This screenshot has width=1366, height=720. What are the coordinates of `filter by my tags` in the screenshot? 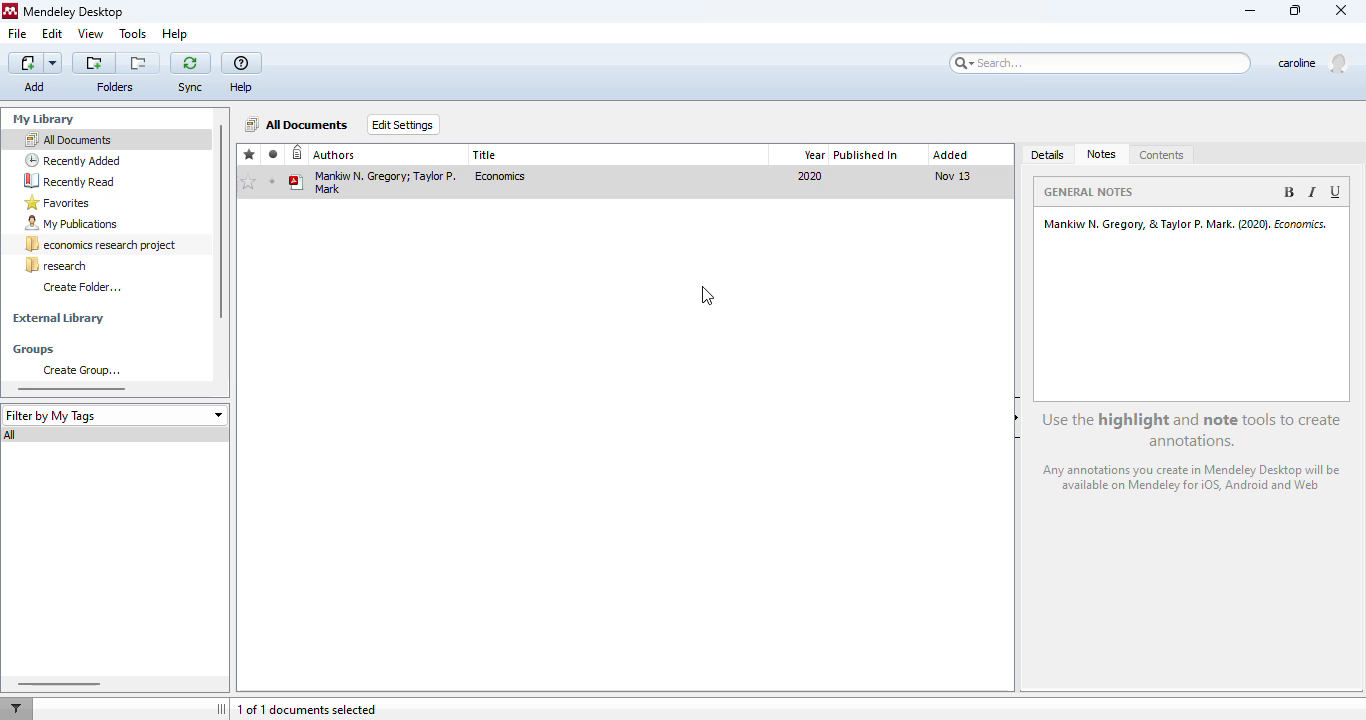 It's located at (114, 415).